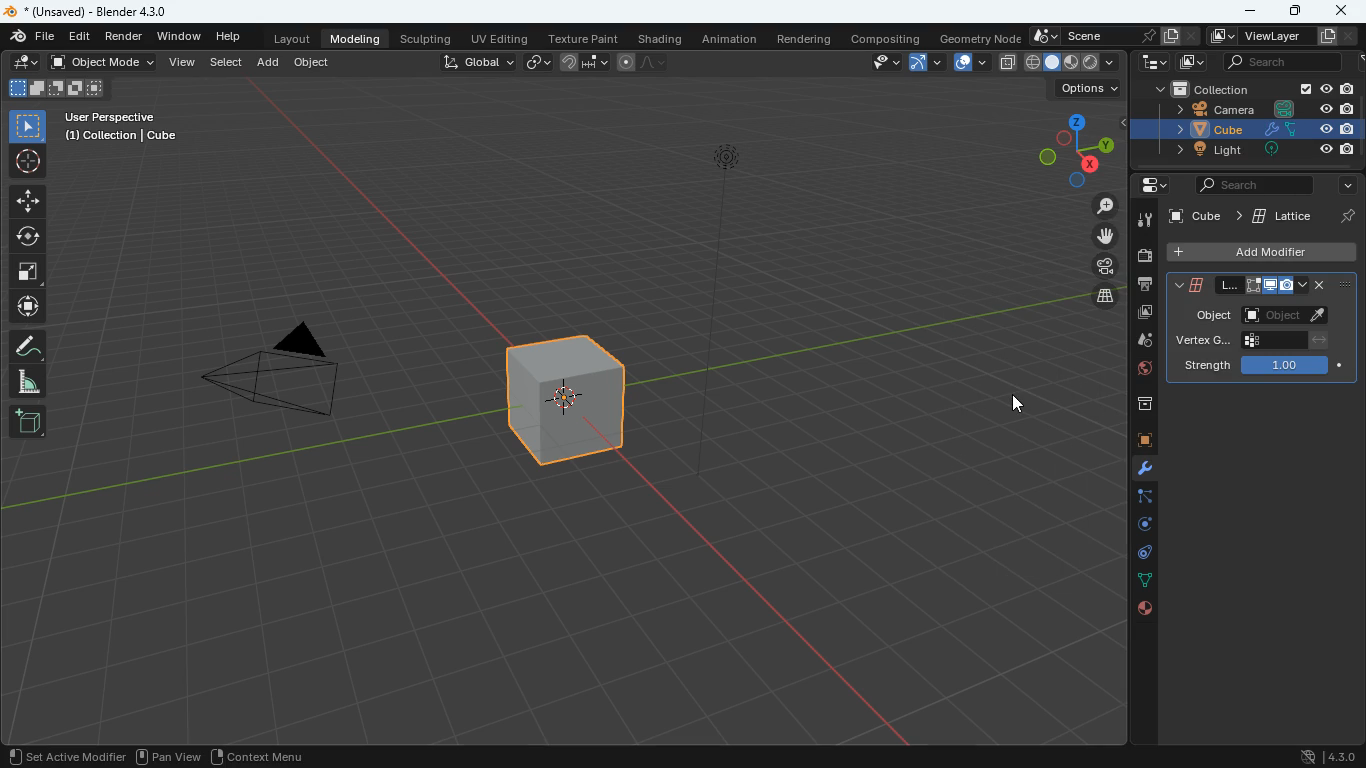 Image resolution: width=1366 pixels, height=768 pixels. I want to click on view, so click(878, 63).